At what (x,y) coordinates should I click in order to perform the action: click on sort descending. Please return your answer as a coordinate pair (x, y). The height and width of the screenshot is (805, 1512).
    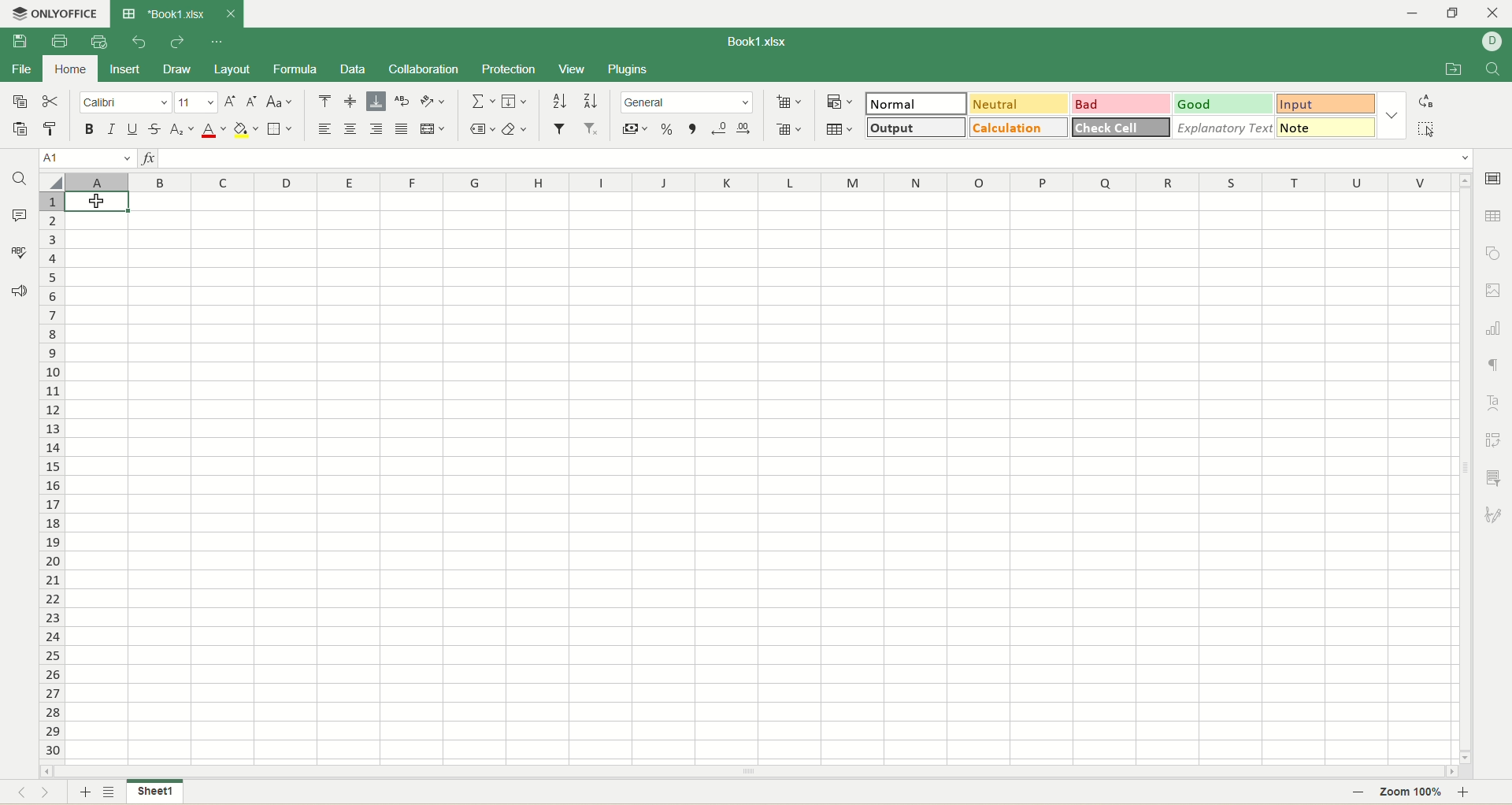
    Looking at the image, I should click on (589, 102).